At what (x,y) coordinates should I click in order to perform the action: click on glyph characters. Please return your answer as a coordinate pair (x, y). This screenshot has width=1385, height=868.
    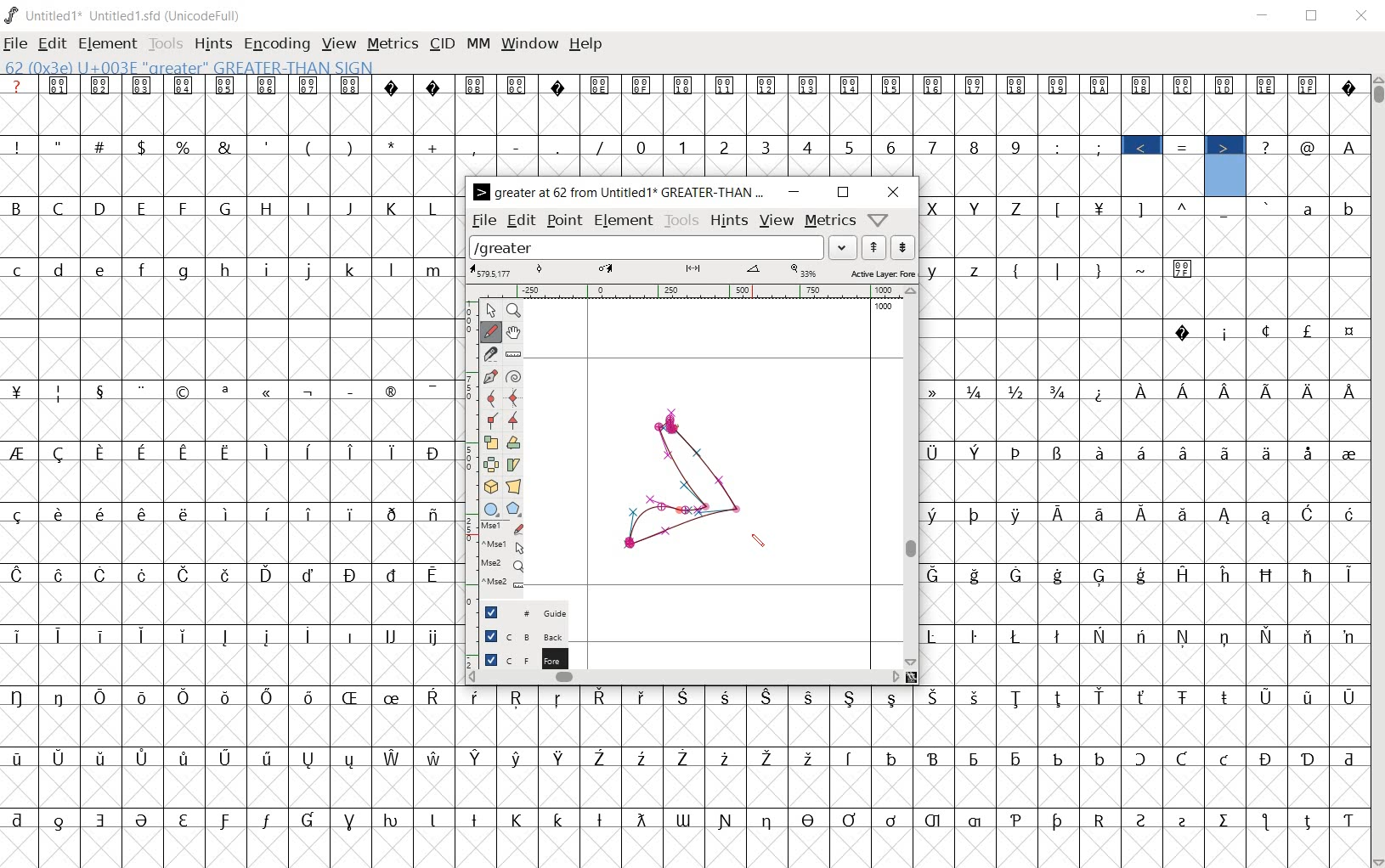
    Looking at the image, I should click on (913, 777).